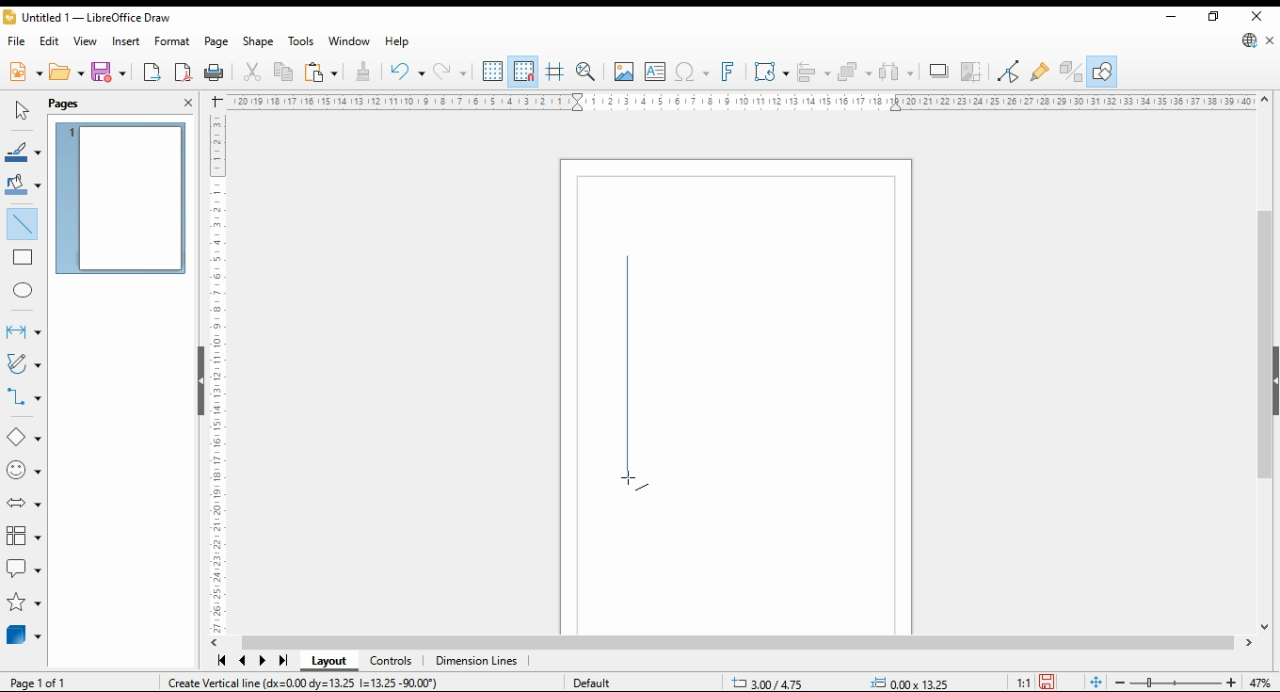 This screenshot has width=1280, height=692. I want to click on -21.15/11.78, so click(776, 683).